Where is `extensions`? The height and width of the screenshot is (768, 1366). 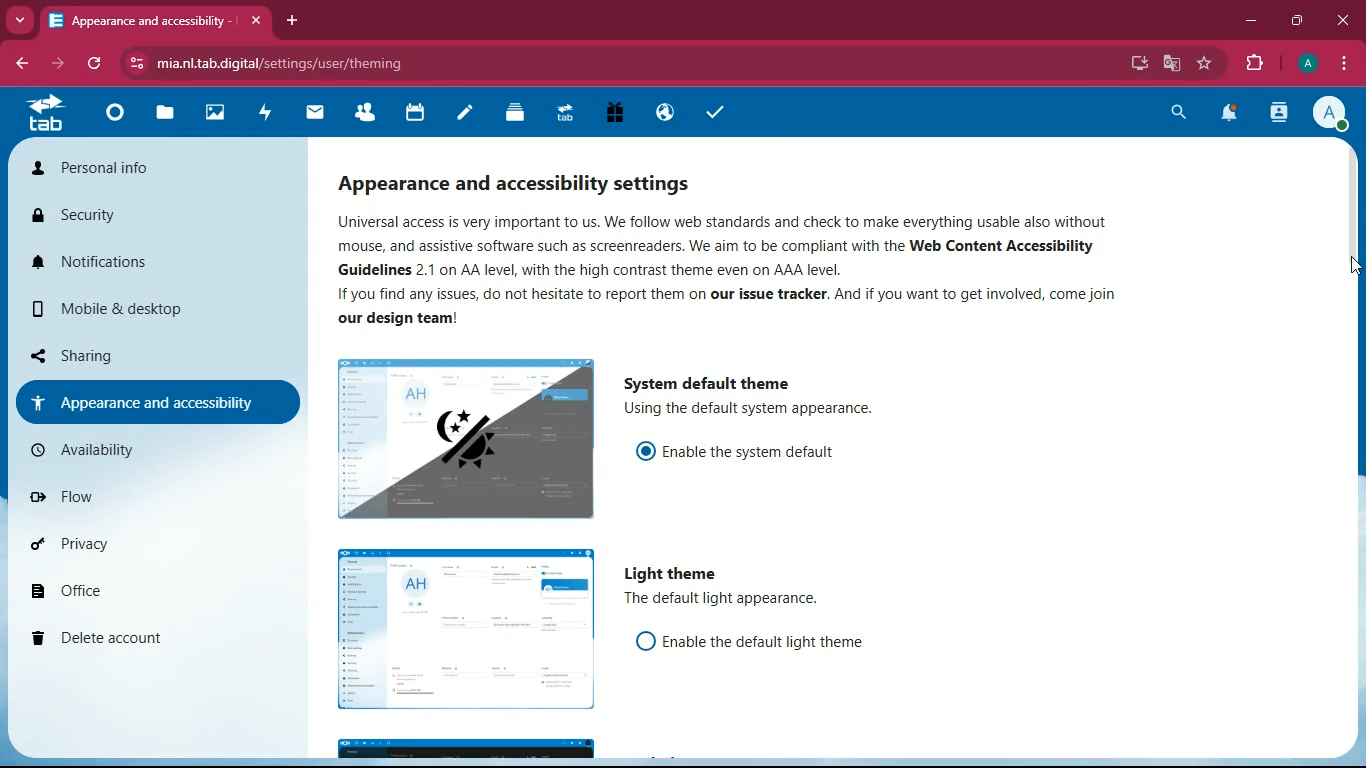 extensions is located at coordinates (1253, 64).